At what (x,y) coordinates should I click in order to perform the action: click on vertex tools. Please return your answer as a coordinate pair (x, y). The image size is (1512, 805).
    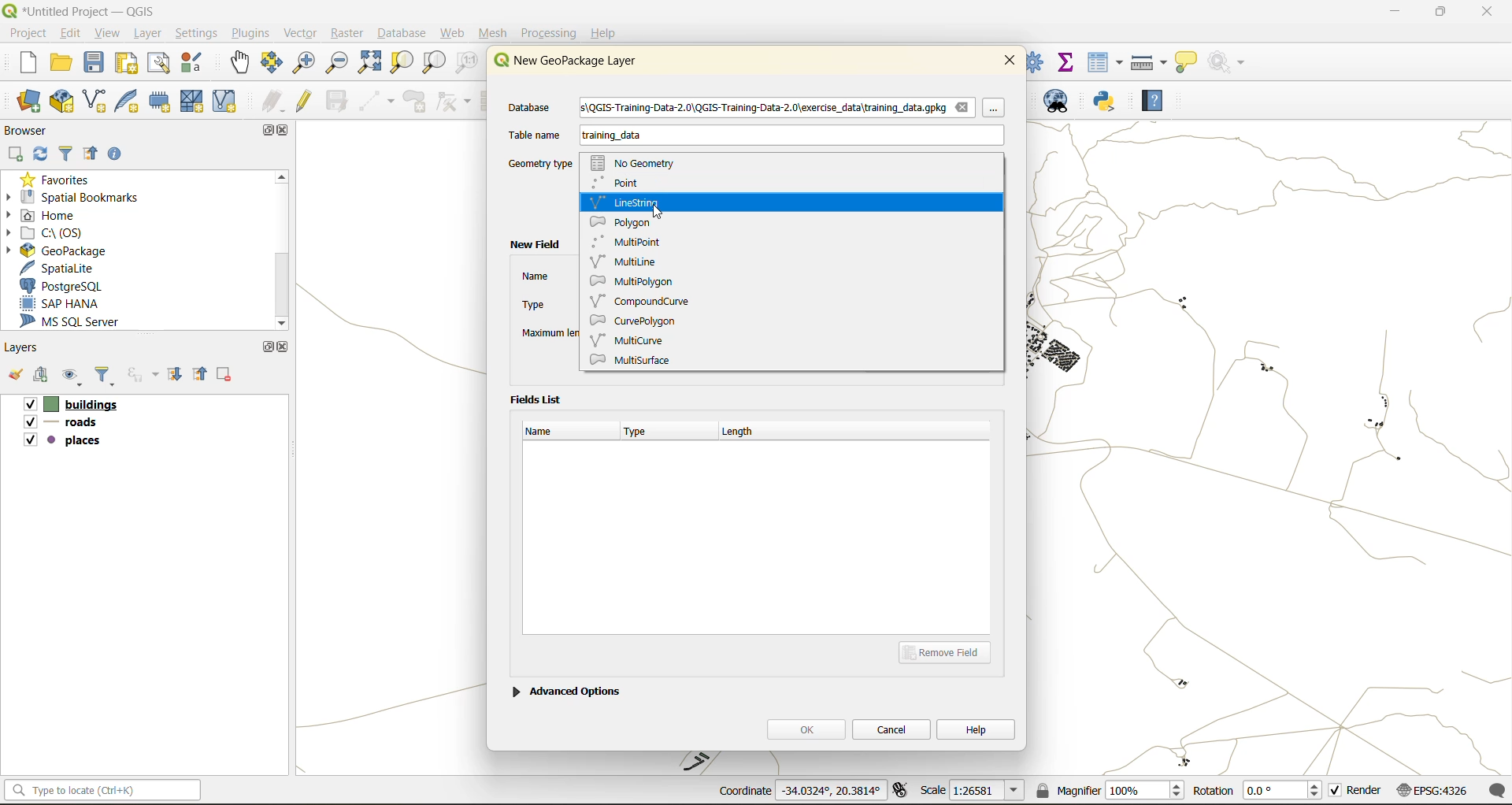
    Looking at the image, I should click on (454, 102).